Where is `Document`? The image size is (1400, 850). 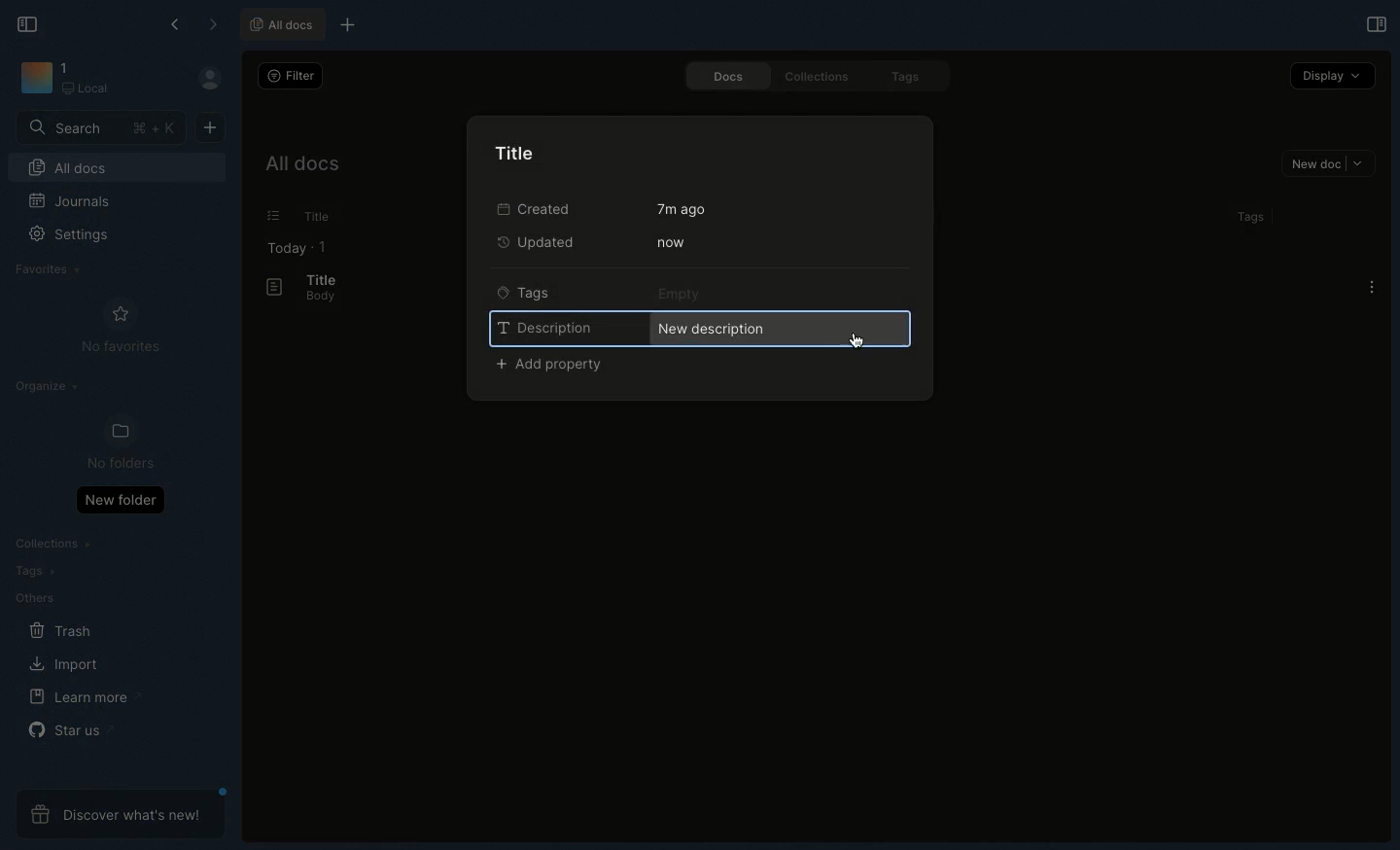 Document is located at coordinates (265, 288).